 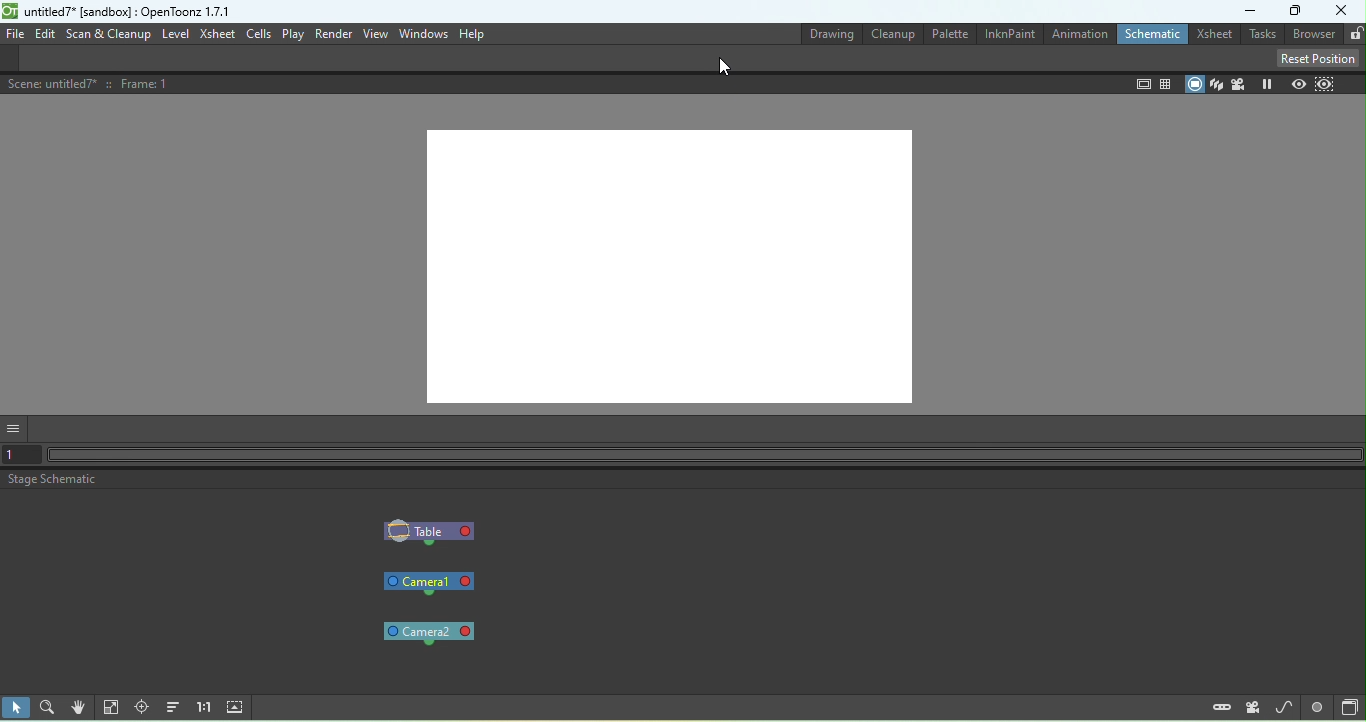 I want to click on Maximize, so click(x=1290, y=12).